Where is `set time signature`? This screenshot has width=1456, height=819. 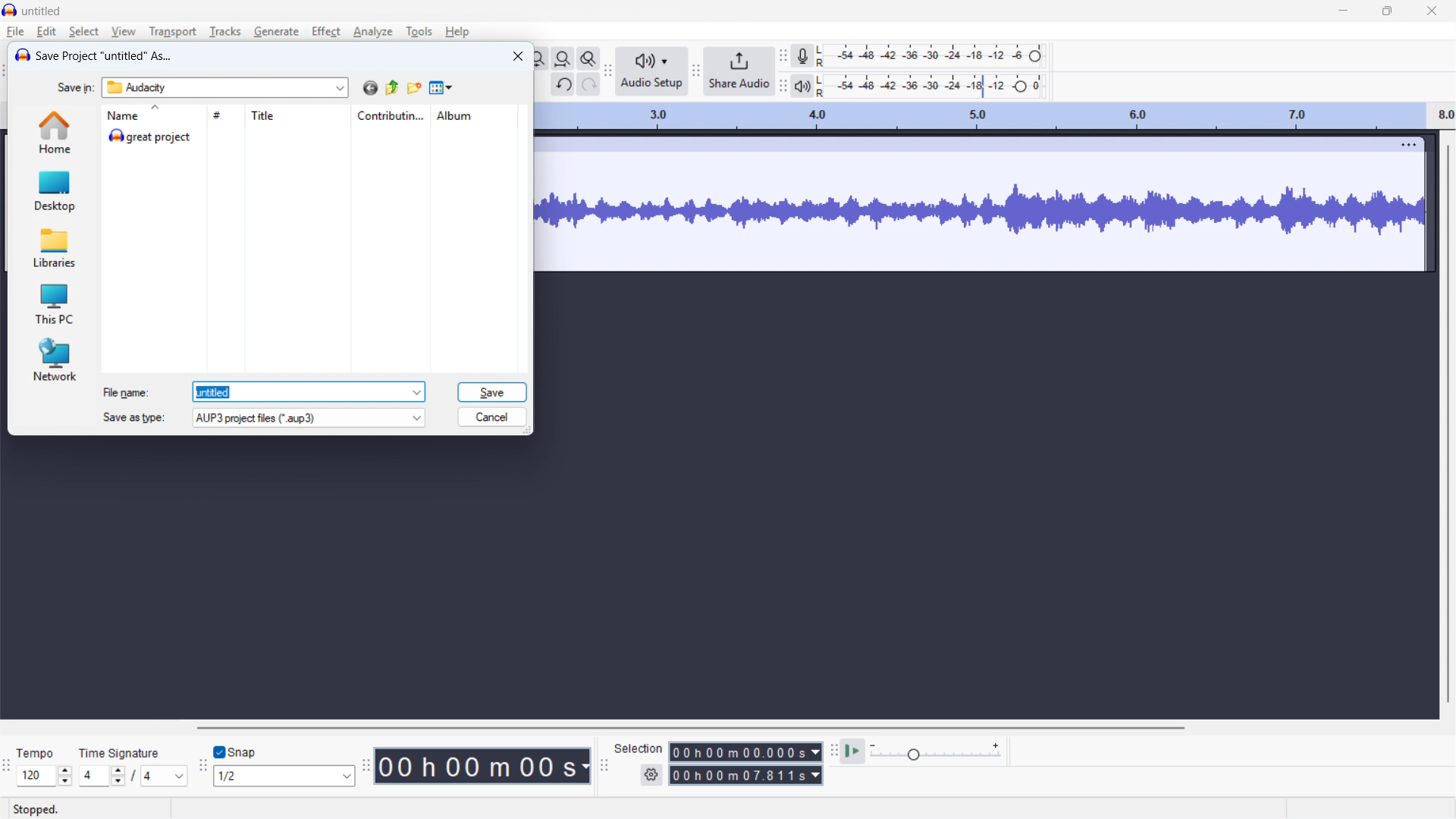 set time signature is located at coordinates (133, 776).